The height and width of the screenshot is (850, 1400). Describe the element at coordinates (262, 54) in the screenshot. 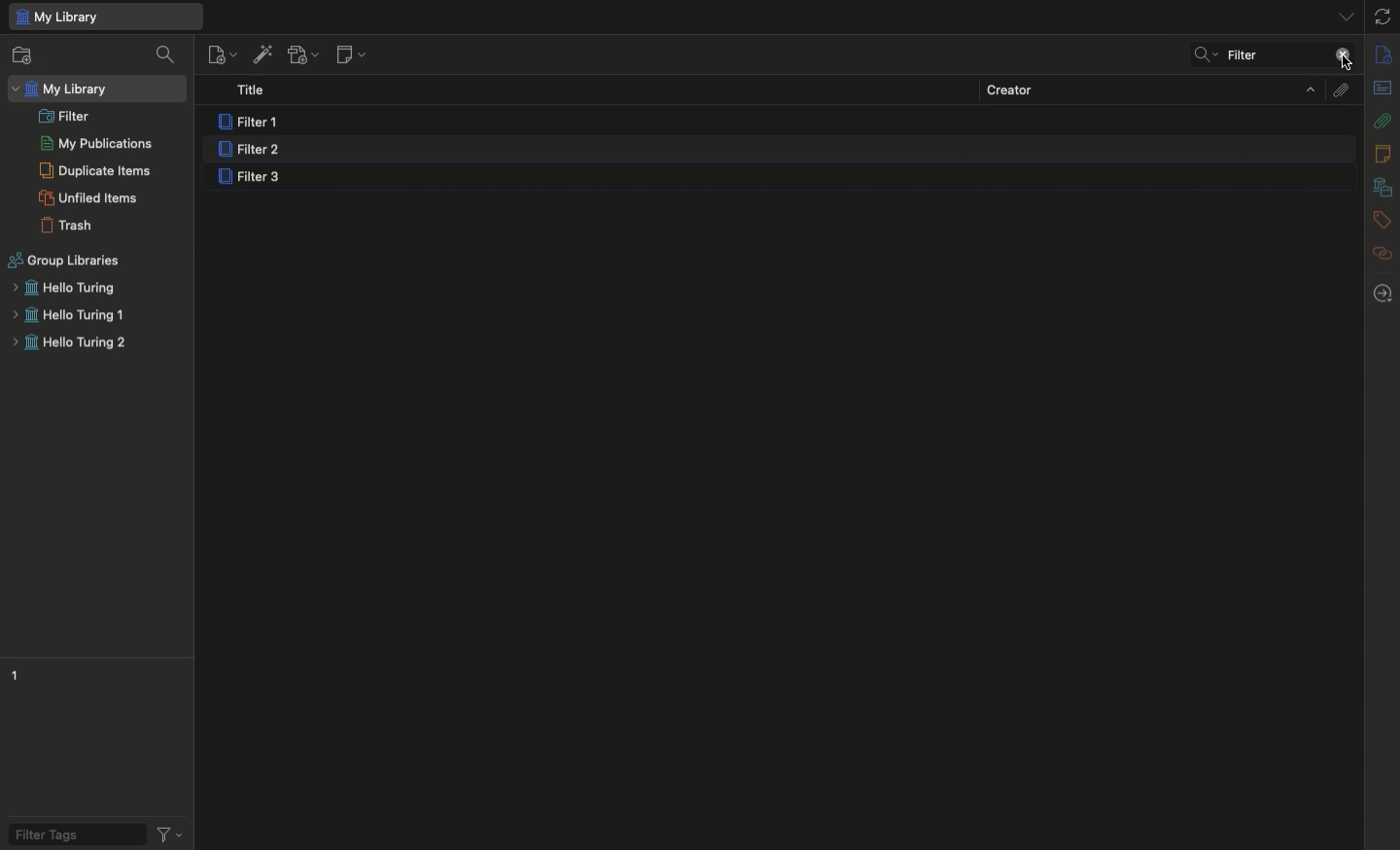

I see `Add items by identifier` at that location.